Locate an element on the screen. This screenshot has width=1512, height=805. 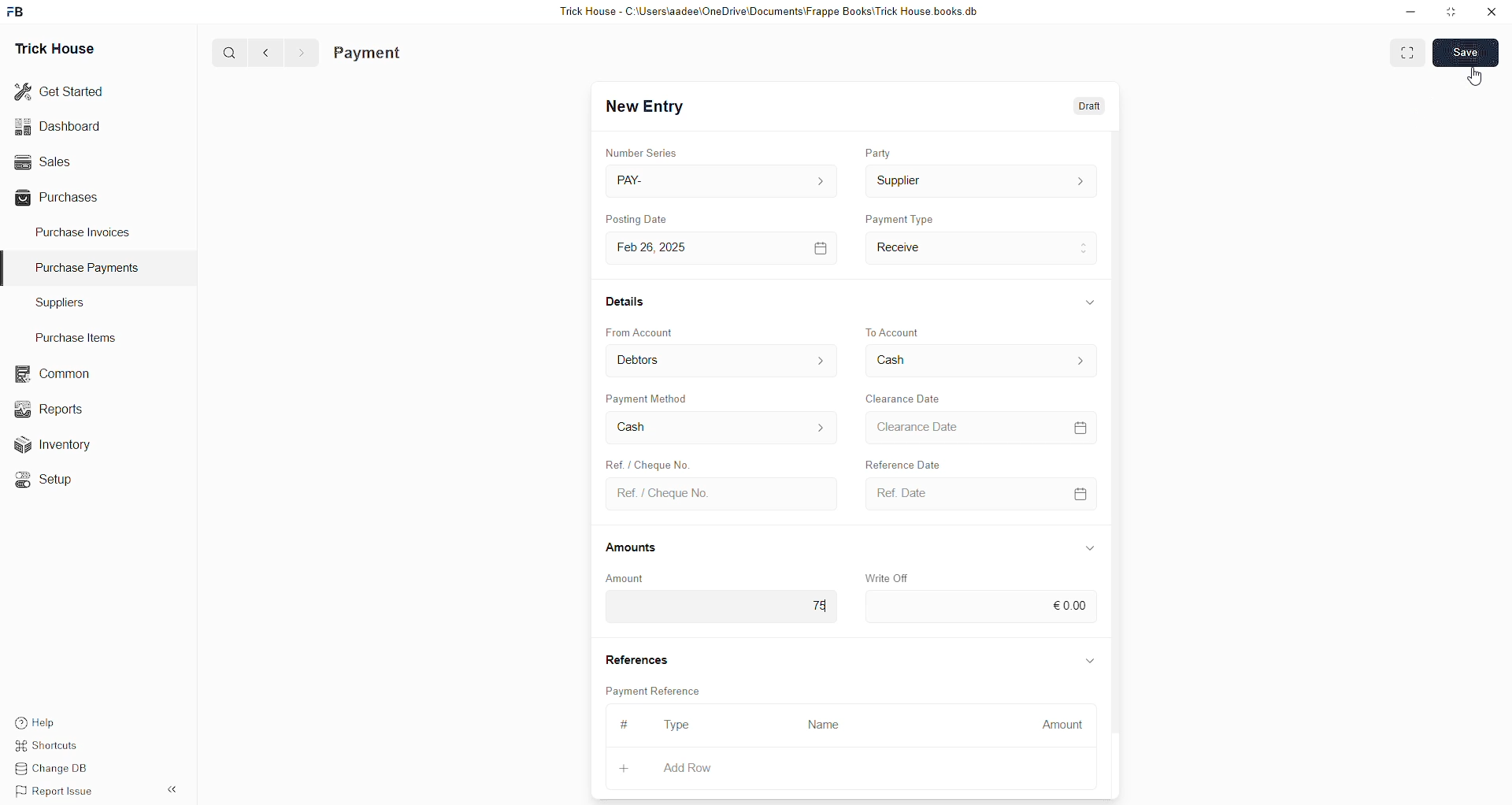
Get Started is located at coordinates (62, 90).